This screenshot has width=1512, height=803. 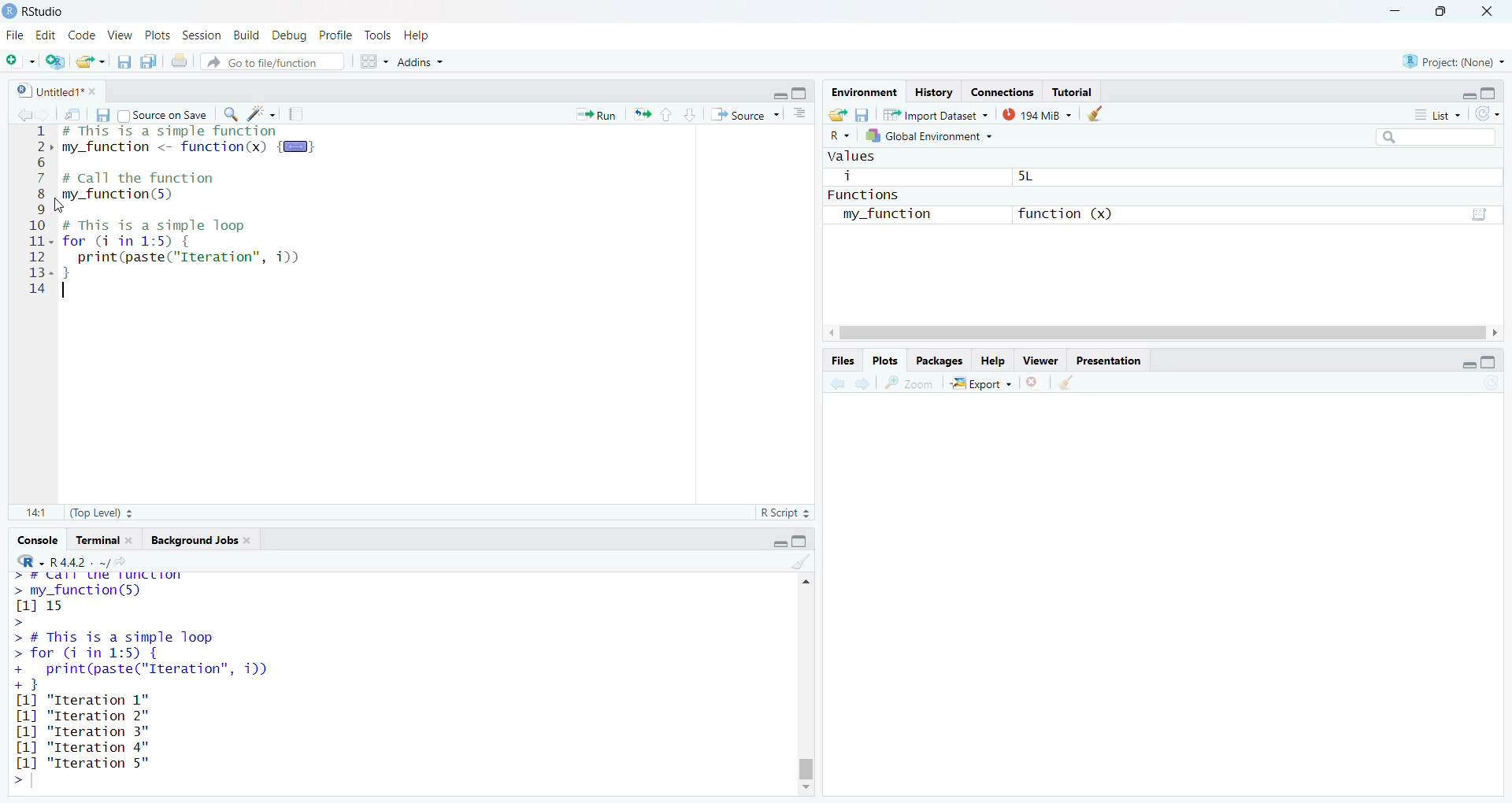 What do you see at coordinates (1495, 116) in the screenshot?
I see `refresh the list of objects in the environment` at bounding box center [1495, 116].